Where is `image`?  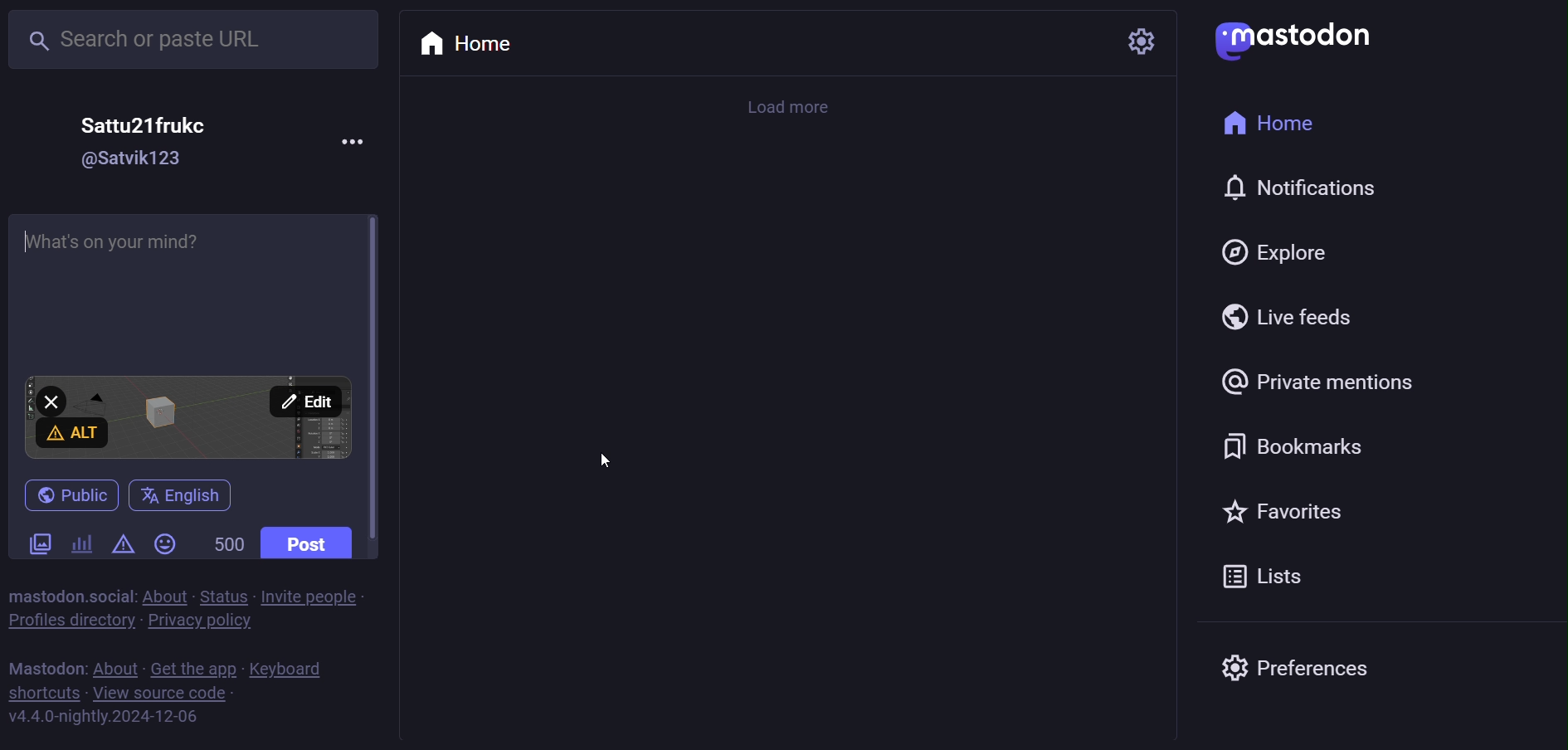
image is located at coordinates (187, 418).